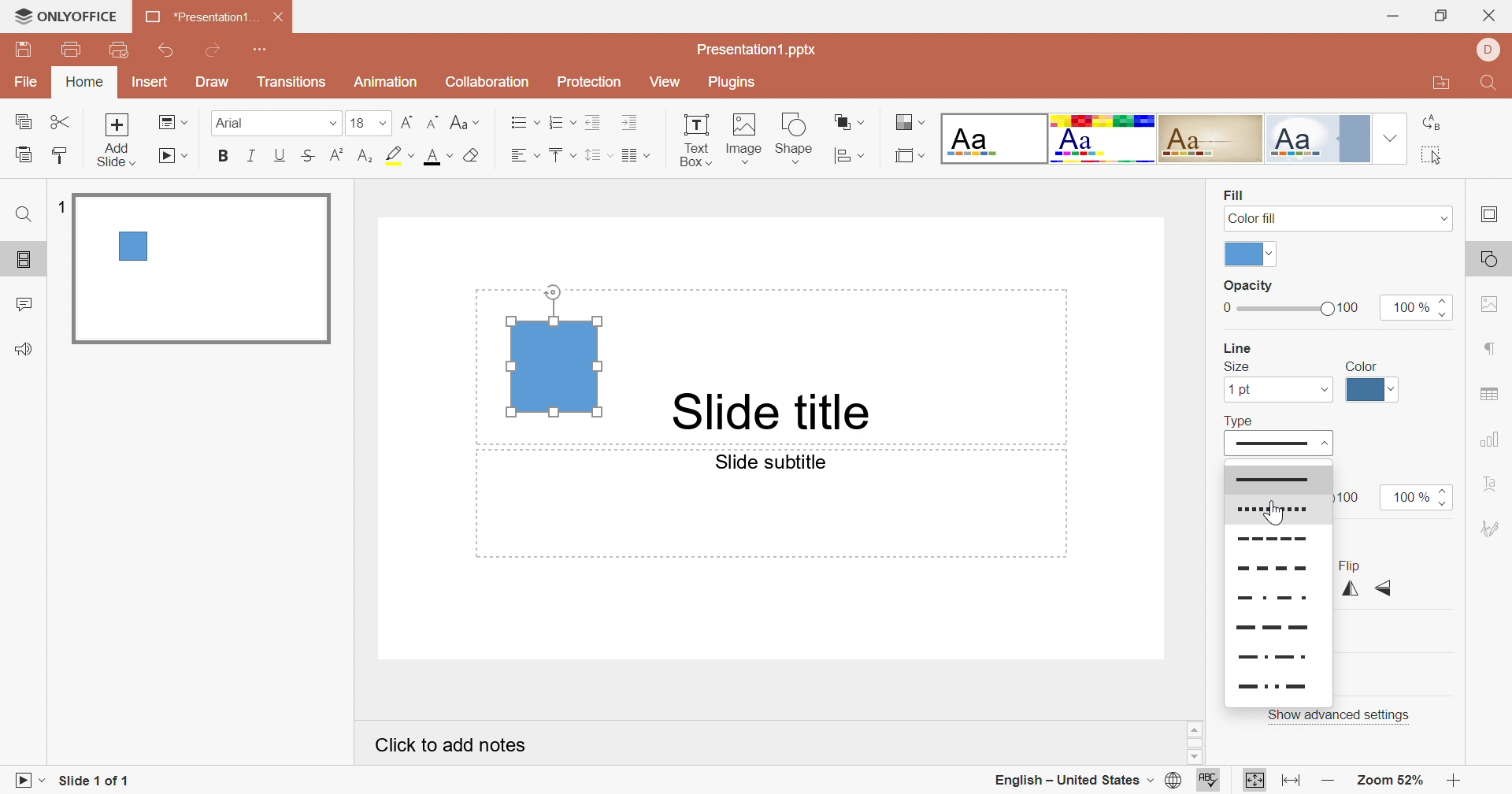 The image size is (1512, 794). I want to click on Bullets, so click(525, 124).